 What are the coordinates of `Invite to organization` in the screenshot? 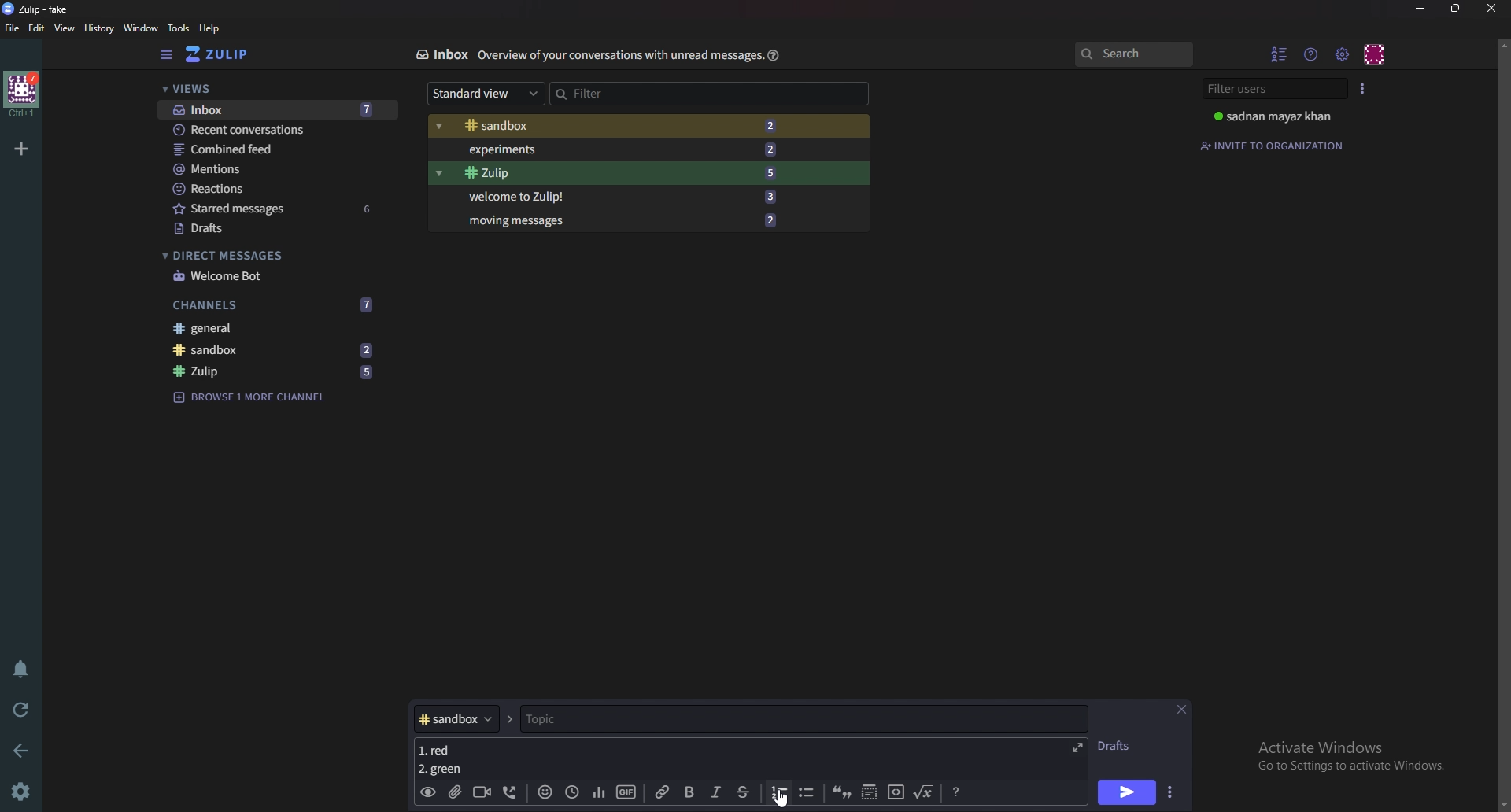 It's located at (1275, 144).